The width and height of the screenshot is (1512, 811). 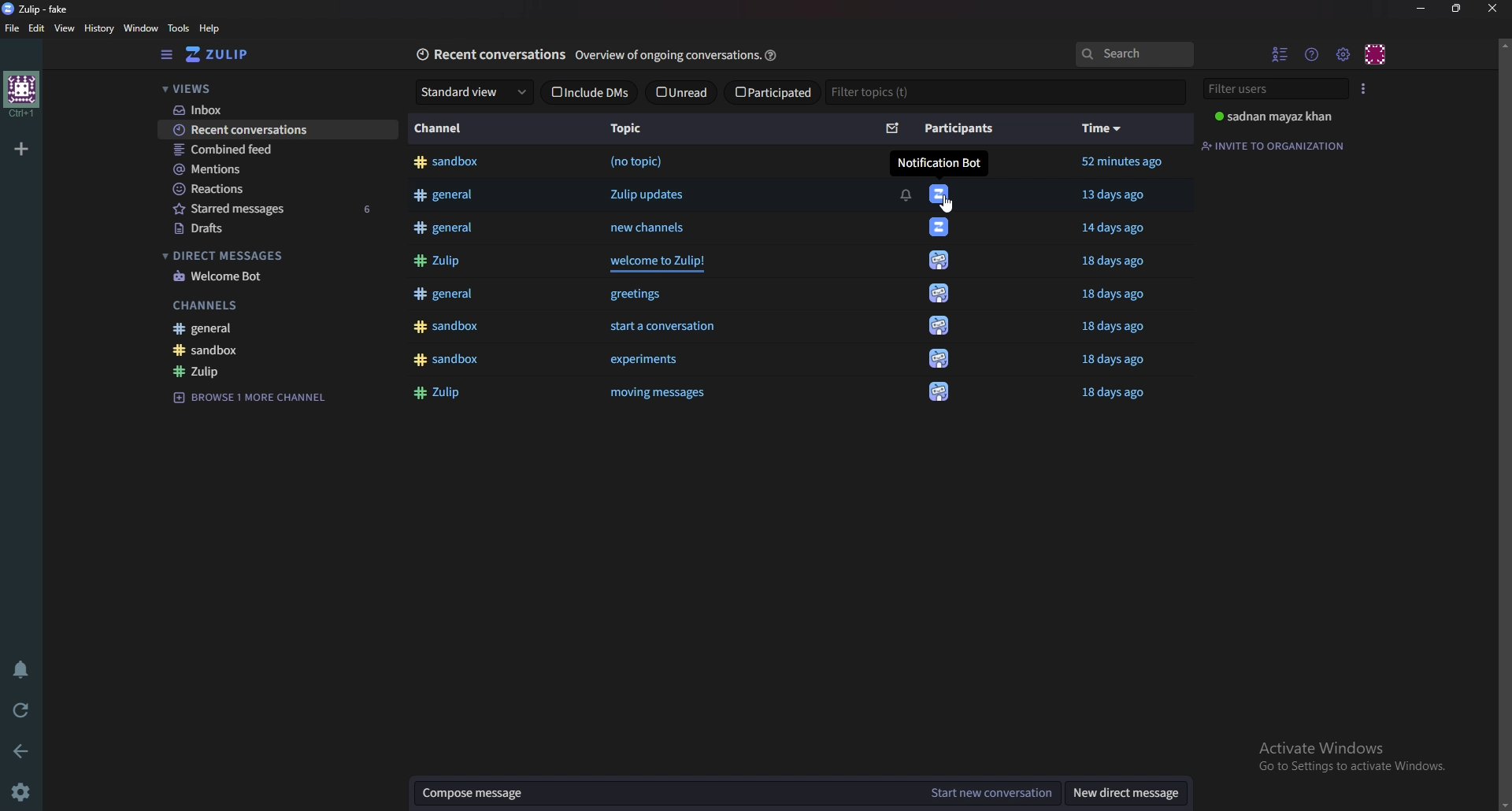 I want to click on #general, so click(x=448, y=228).